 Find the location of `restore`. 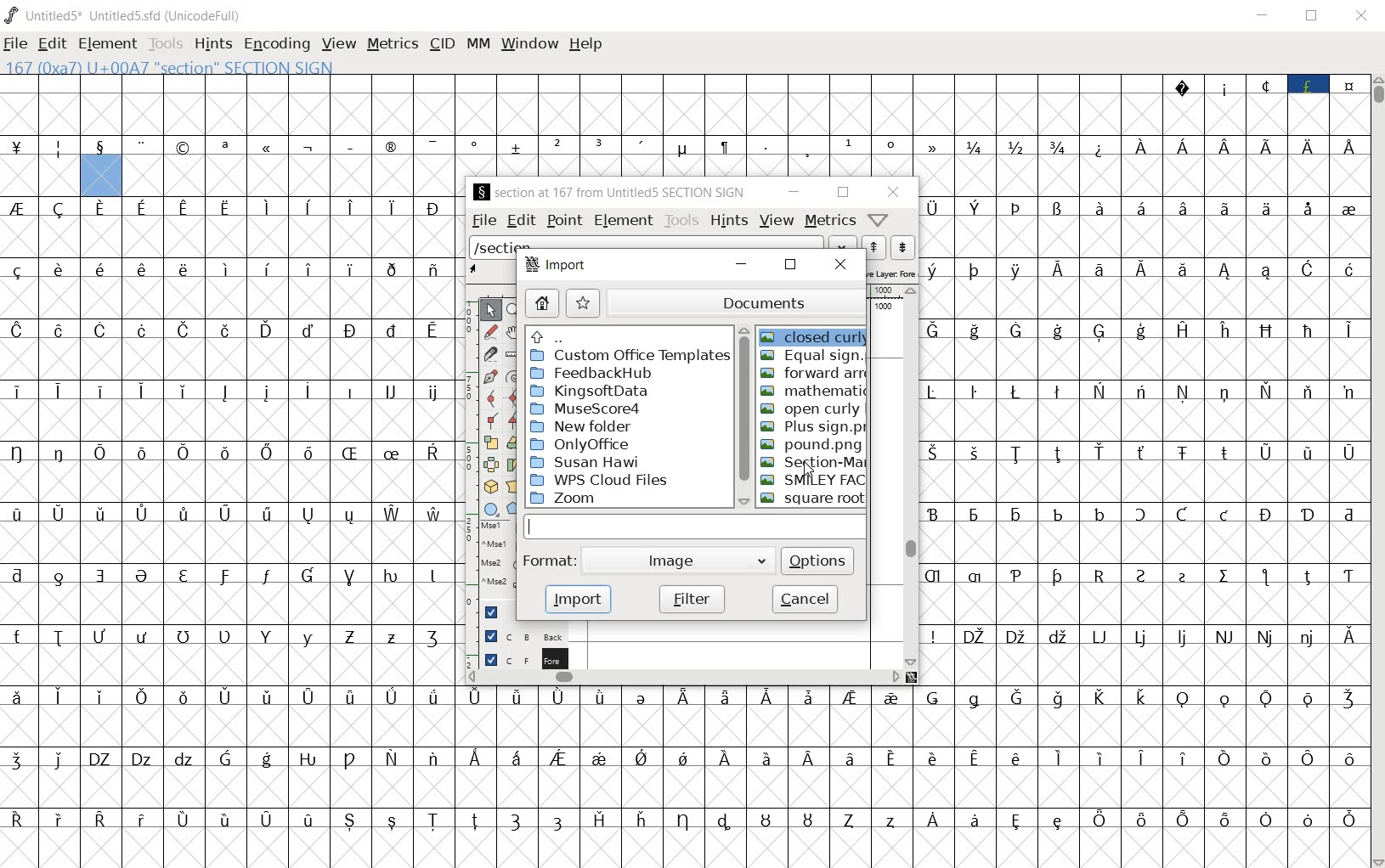

restore is located at coordinates (843, 193).